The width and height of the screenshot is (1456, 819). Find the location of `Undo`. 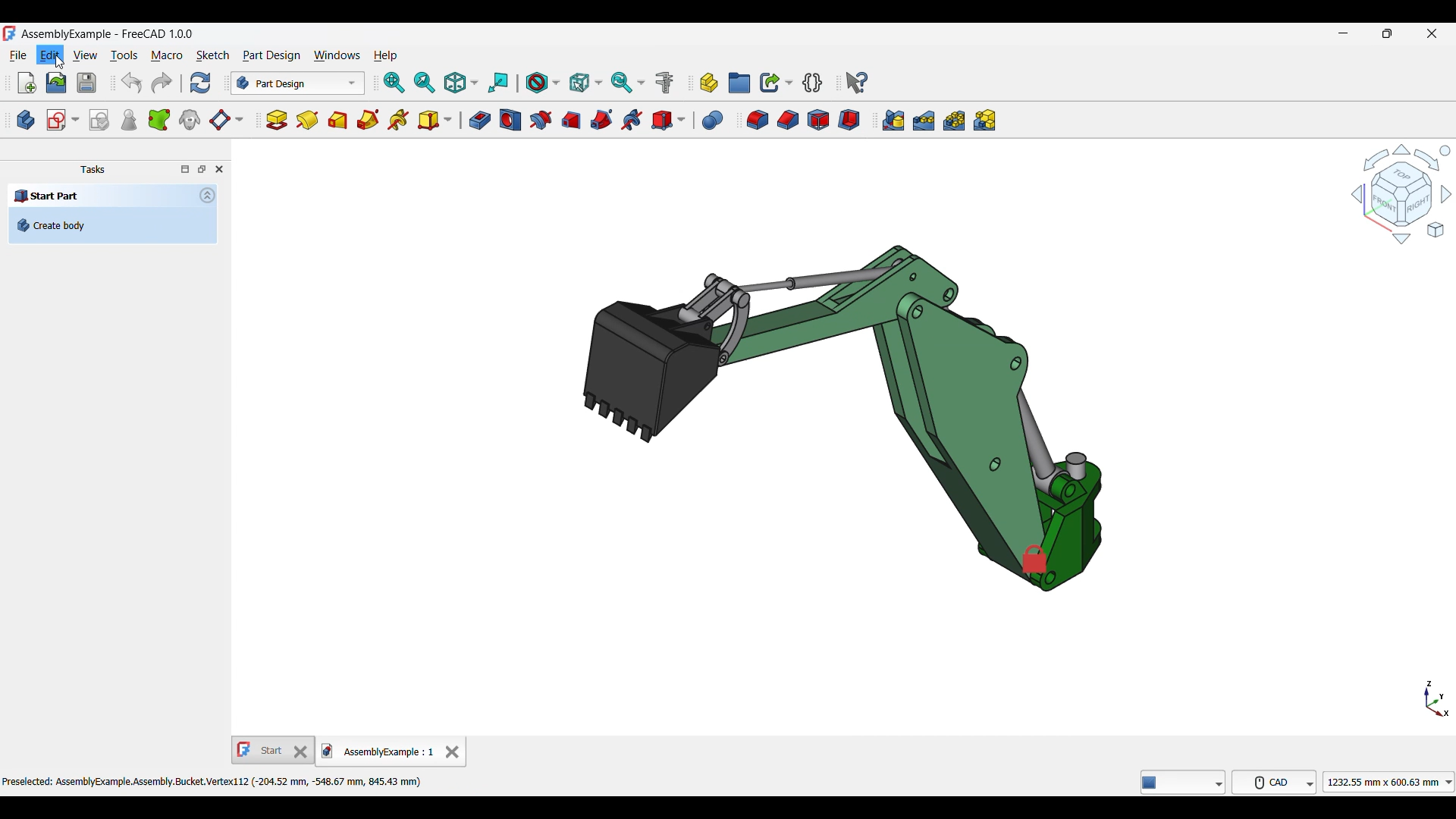

Undo is located at coordinates (131, 83).